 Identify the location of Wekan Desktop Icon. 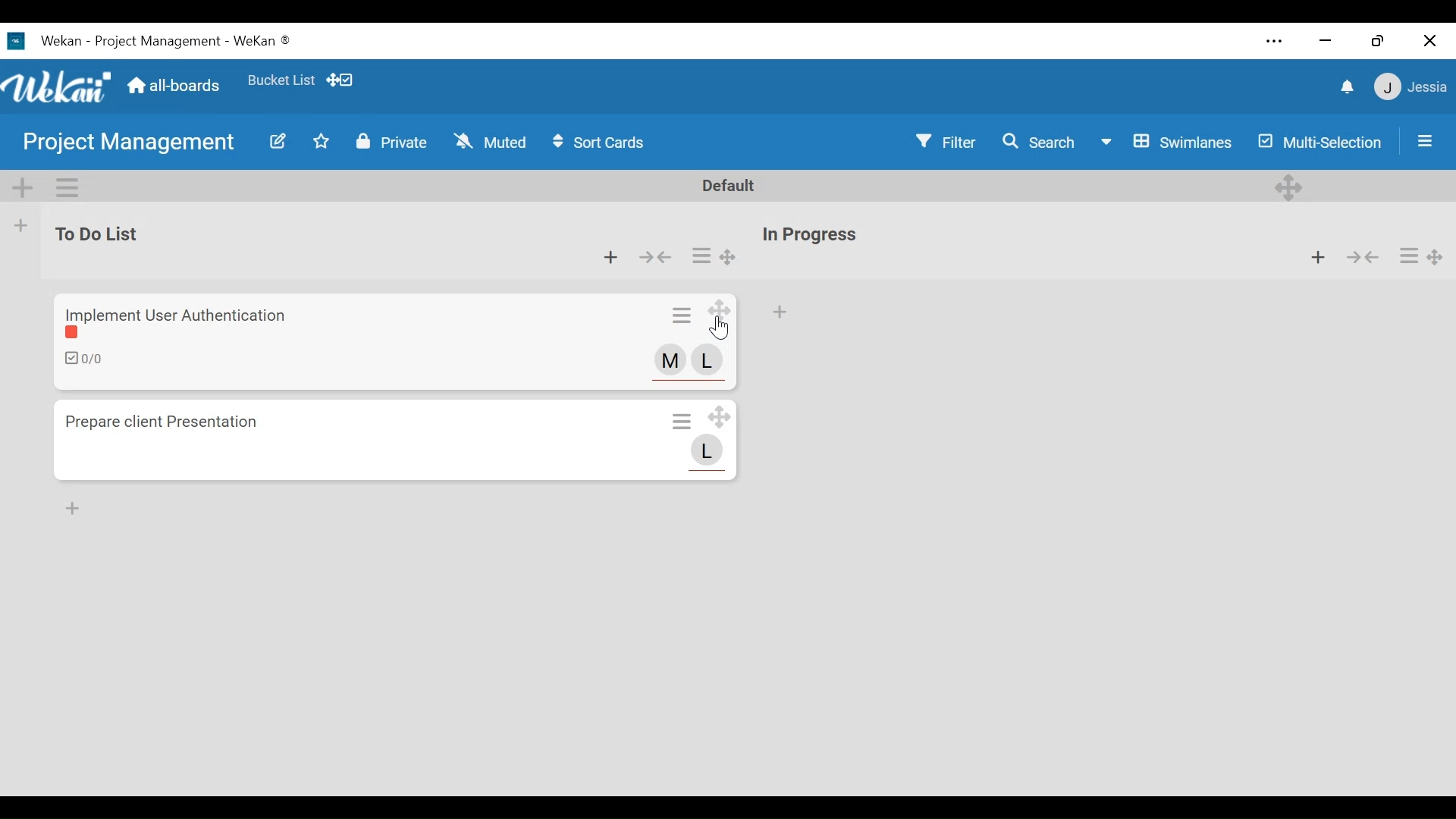
(17, 42).